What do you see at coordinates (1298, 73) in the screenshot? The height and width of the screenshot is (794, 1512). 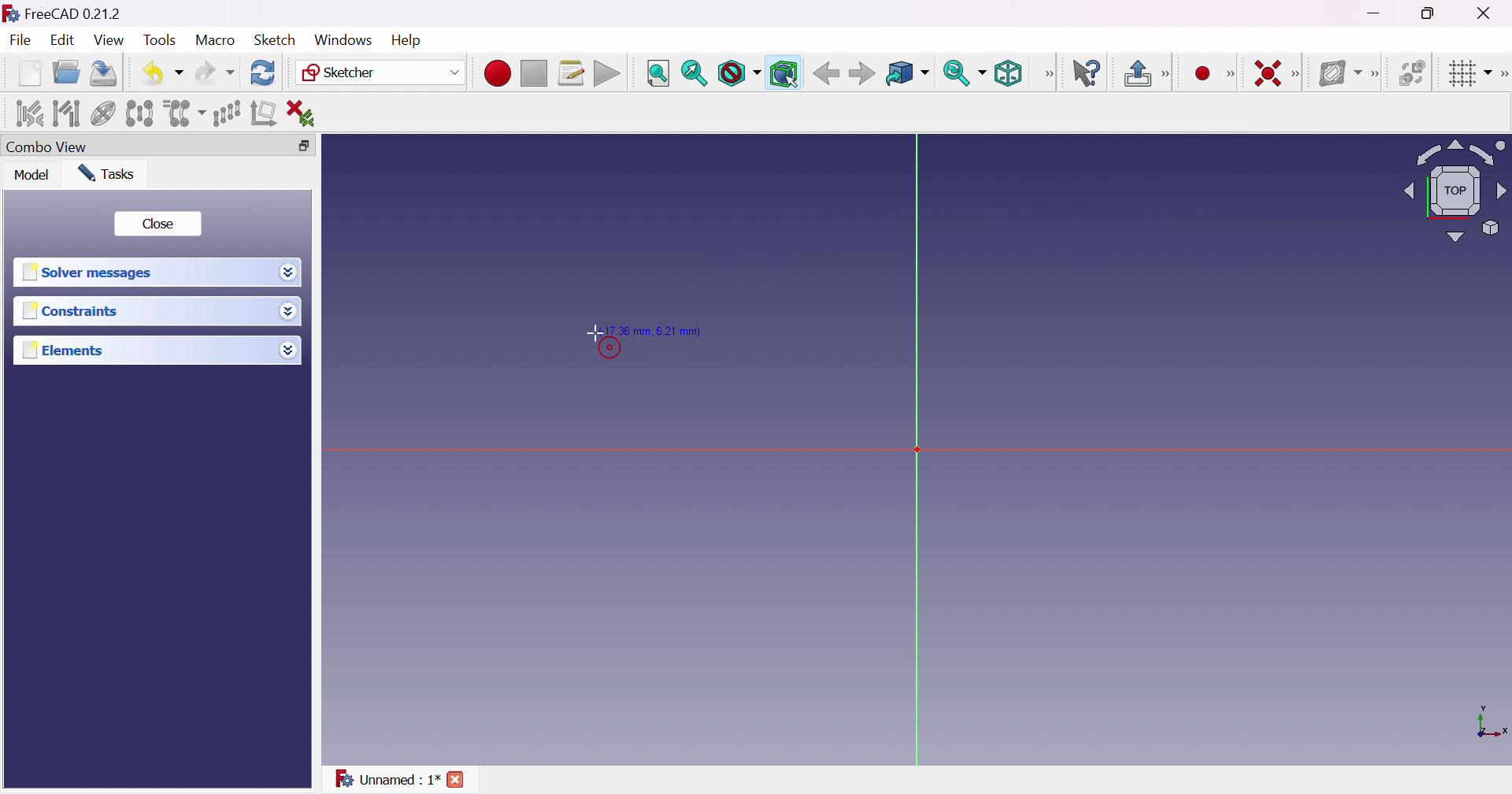 I see `[Sketcher constraints]` at bounding box center [1298, 73].